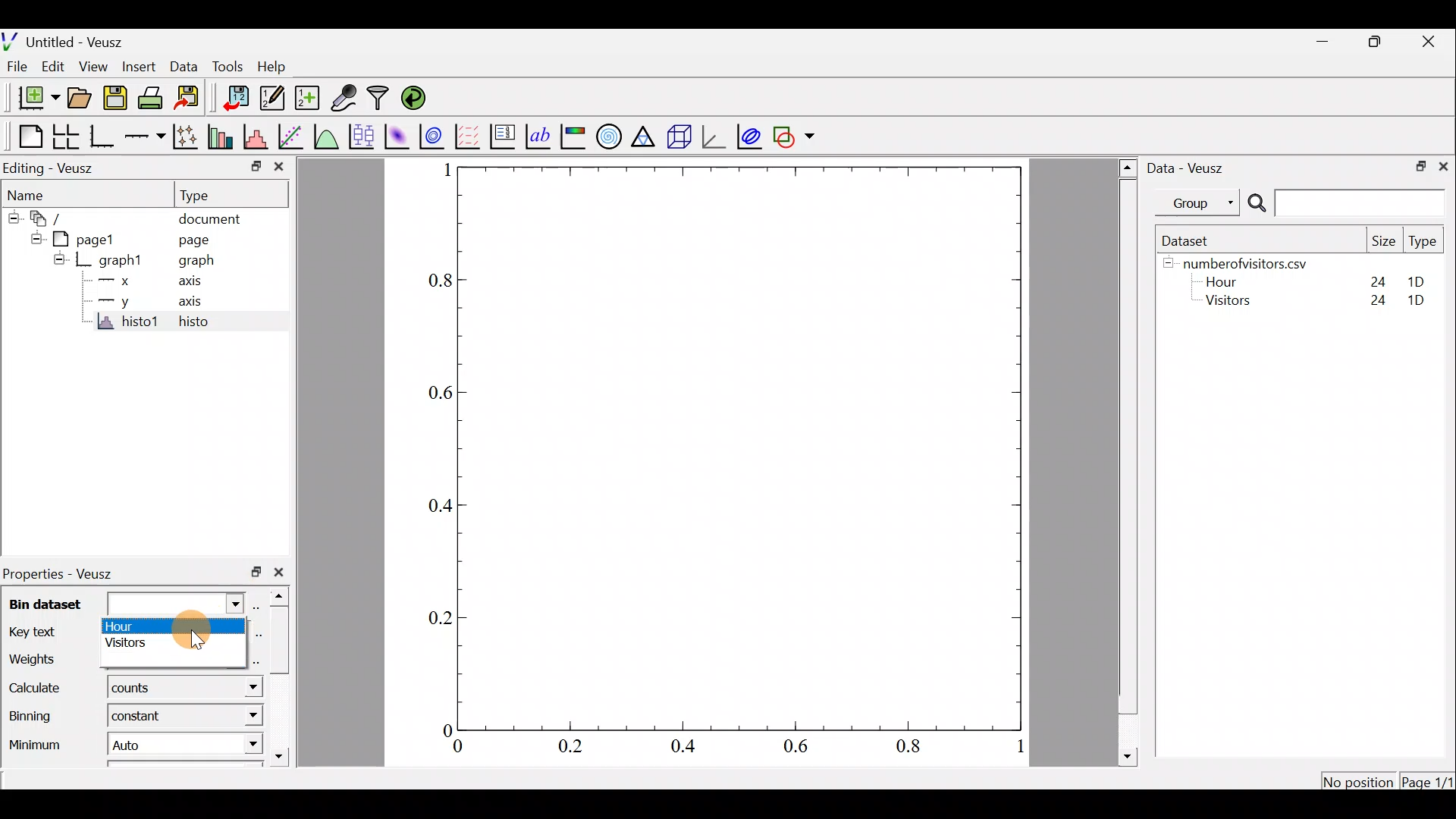 This screenshot has height=819, width=1456. What do you see at coordinates (309, 96) in the screenshot?
I see `create new datasets using ranges, parametrically or as functions of existing dataset.` at bounding box center [309, 96].